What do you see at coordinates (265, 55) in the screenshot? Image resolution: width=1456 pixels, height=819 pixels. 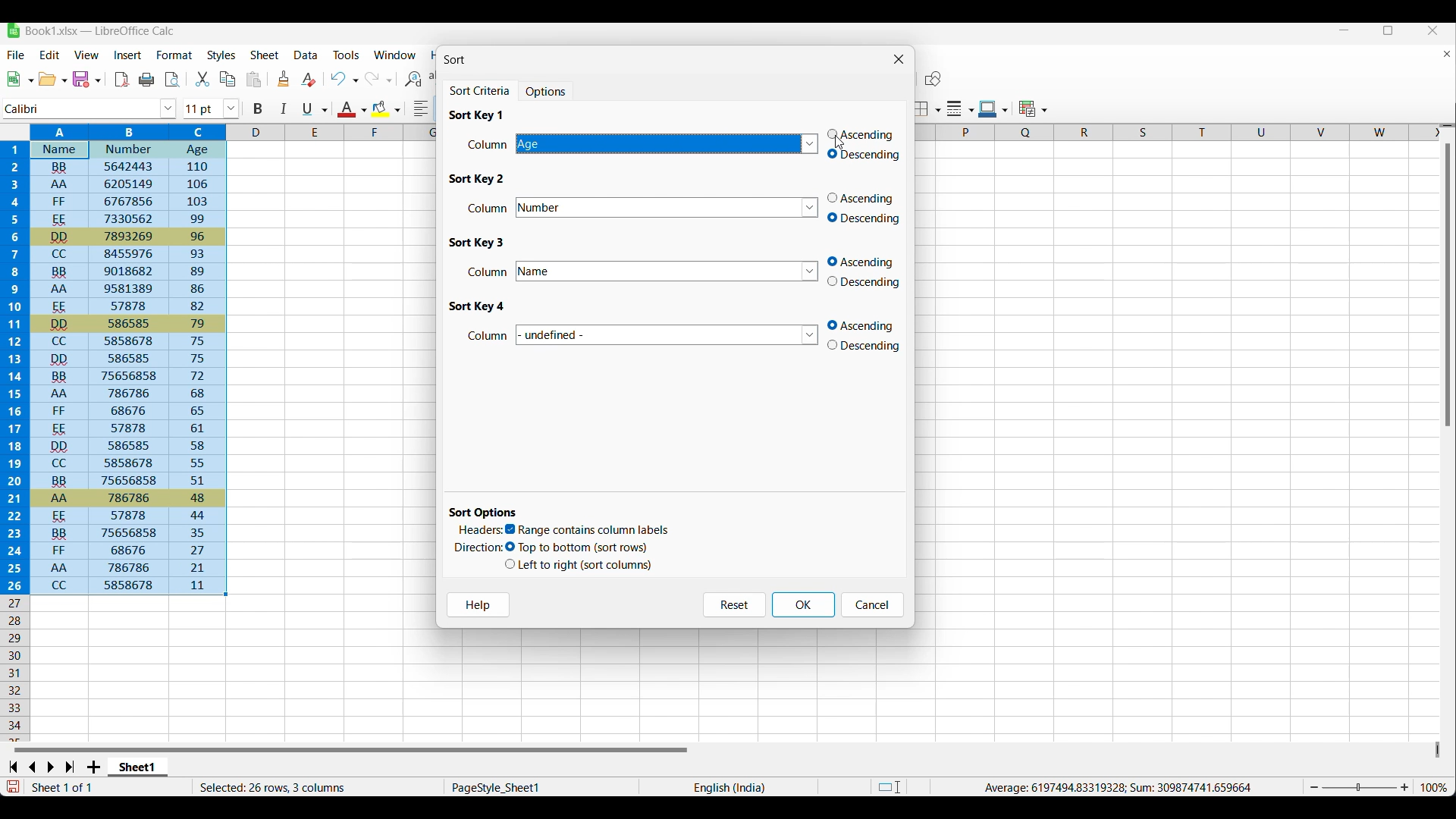 I see `Sheet menu` at bounding box center [265, 55].